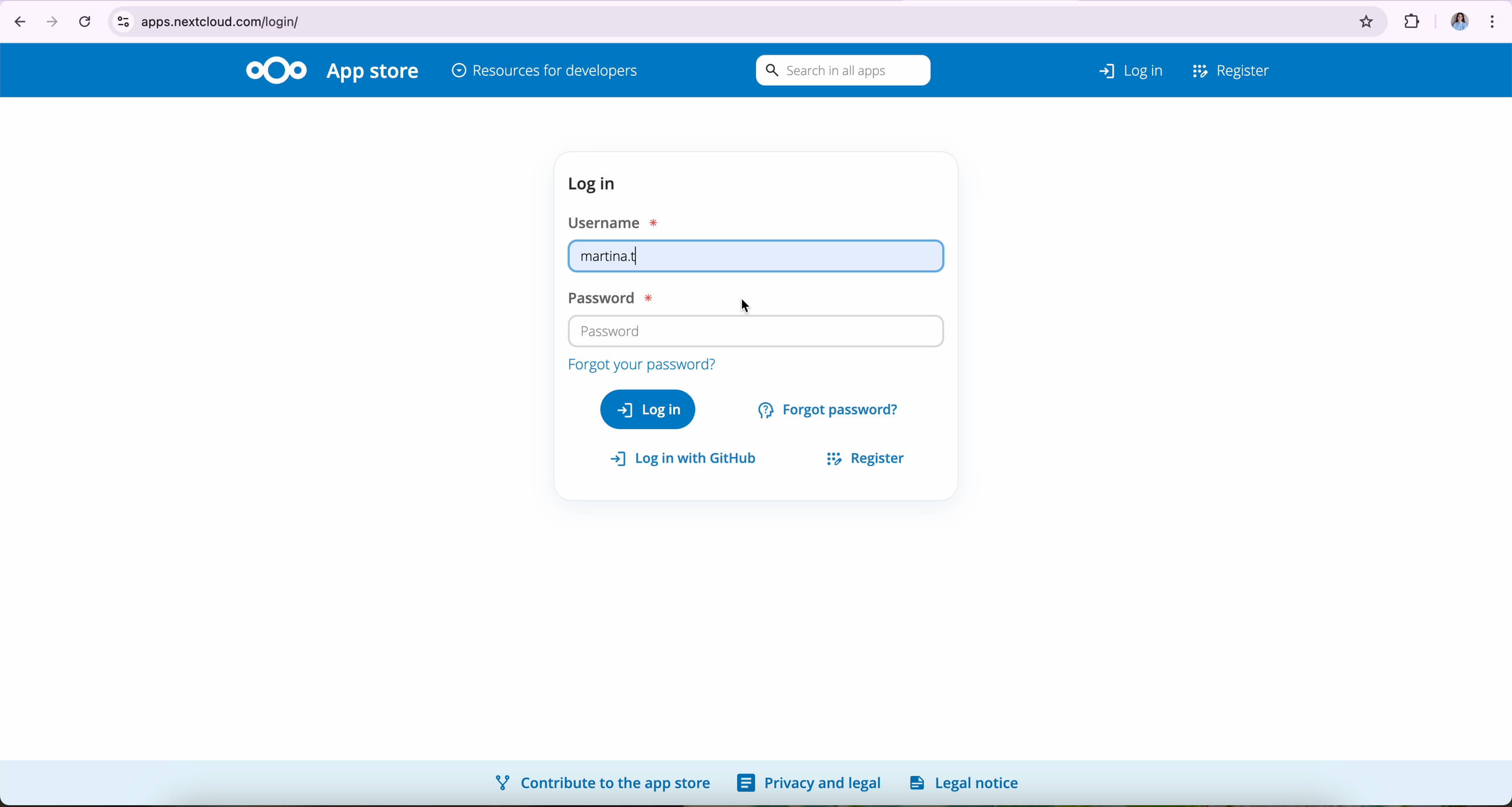  I want to click on contribute to the app store, so click(601, 782).